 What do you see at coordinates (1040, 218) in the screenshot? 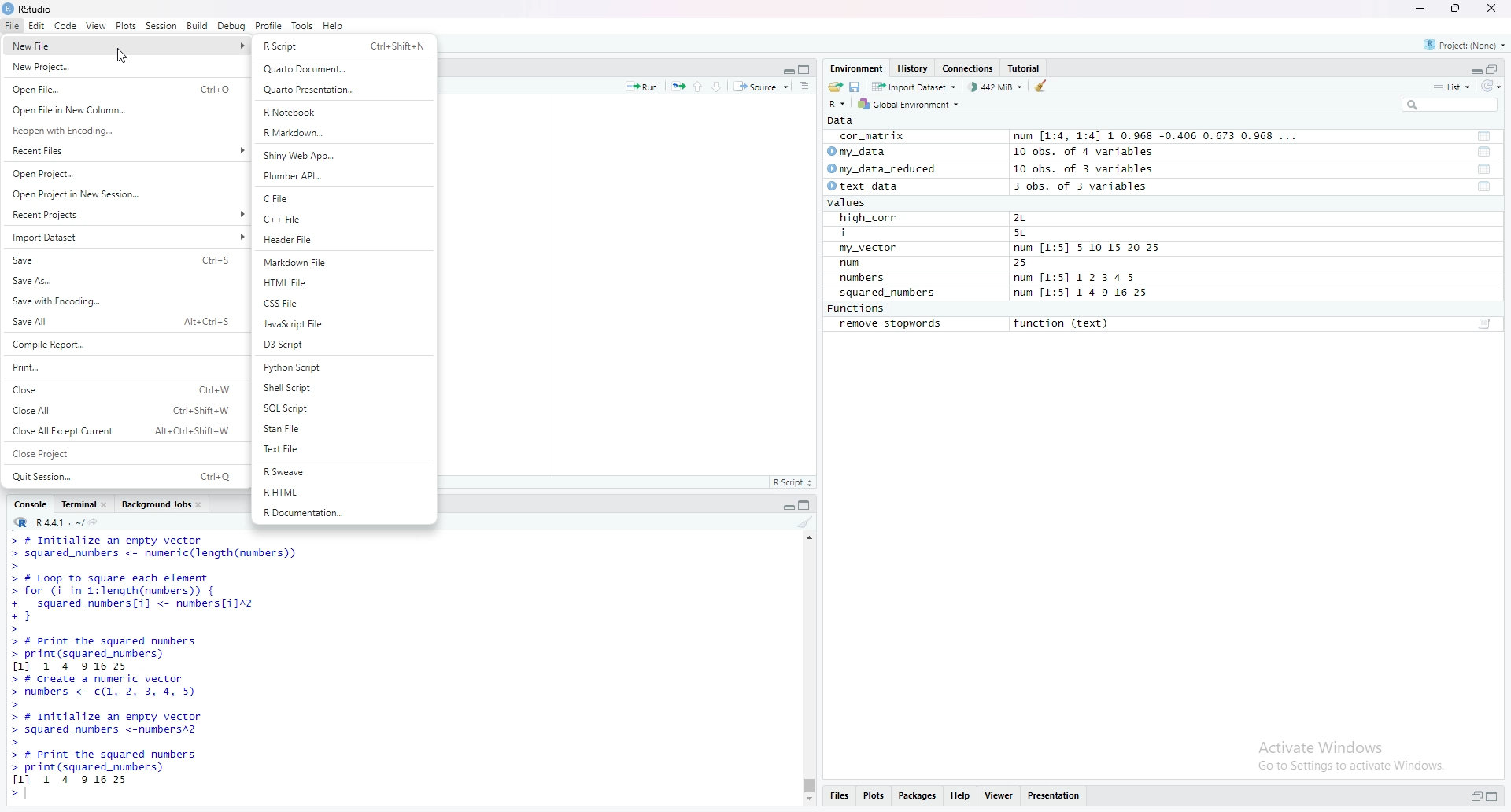
I see `2L` at bounding box center [1040, 218].